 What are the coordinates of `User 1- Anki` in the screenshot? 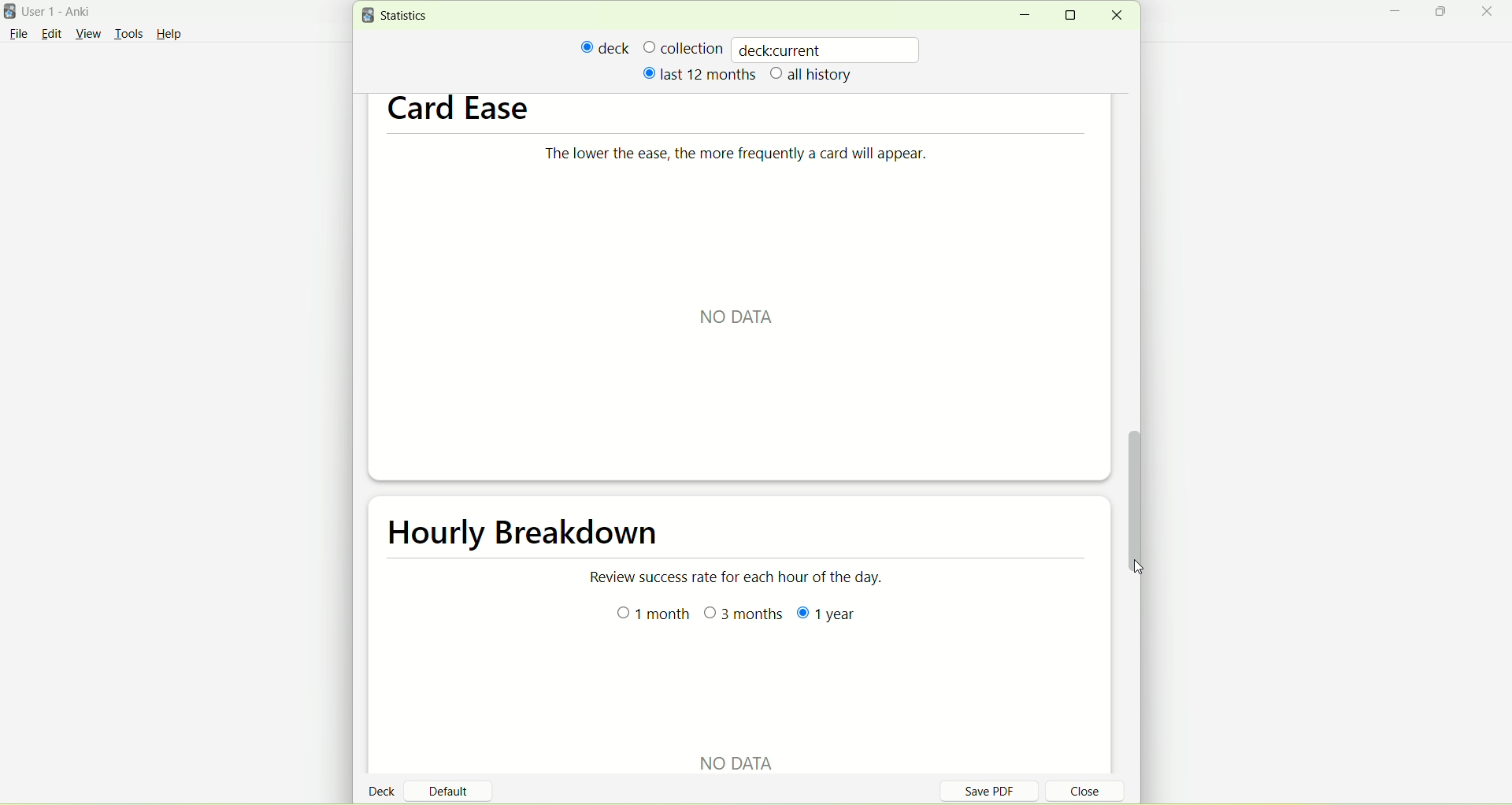 It's located at (67, 14).